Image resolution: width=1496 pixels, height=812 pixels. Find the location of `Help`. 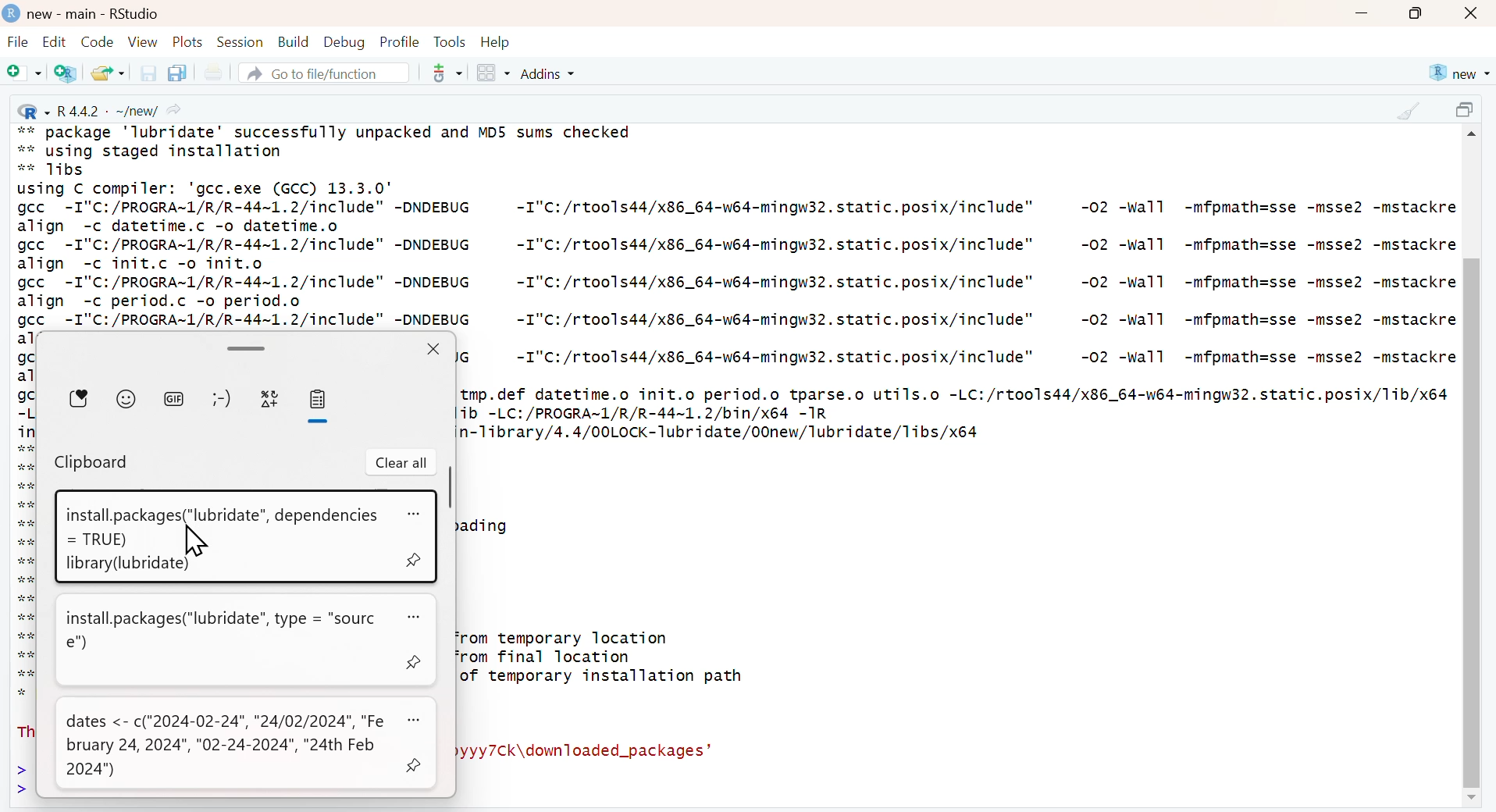

Help is located at coordinates (496, 42).